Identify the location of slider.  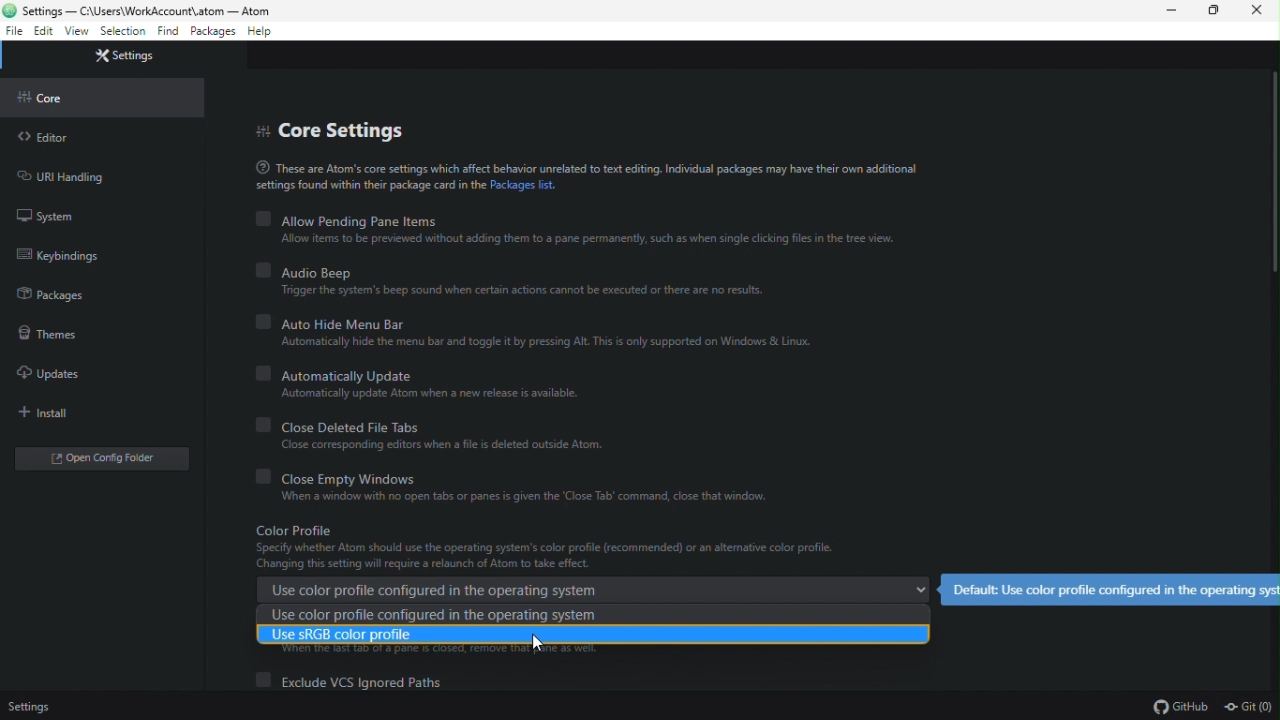
(1266, 240).